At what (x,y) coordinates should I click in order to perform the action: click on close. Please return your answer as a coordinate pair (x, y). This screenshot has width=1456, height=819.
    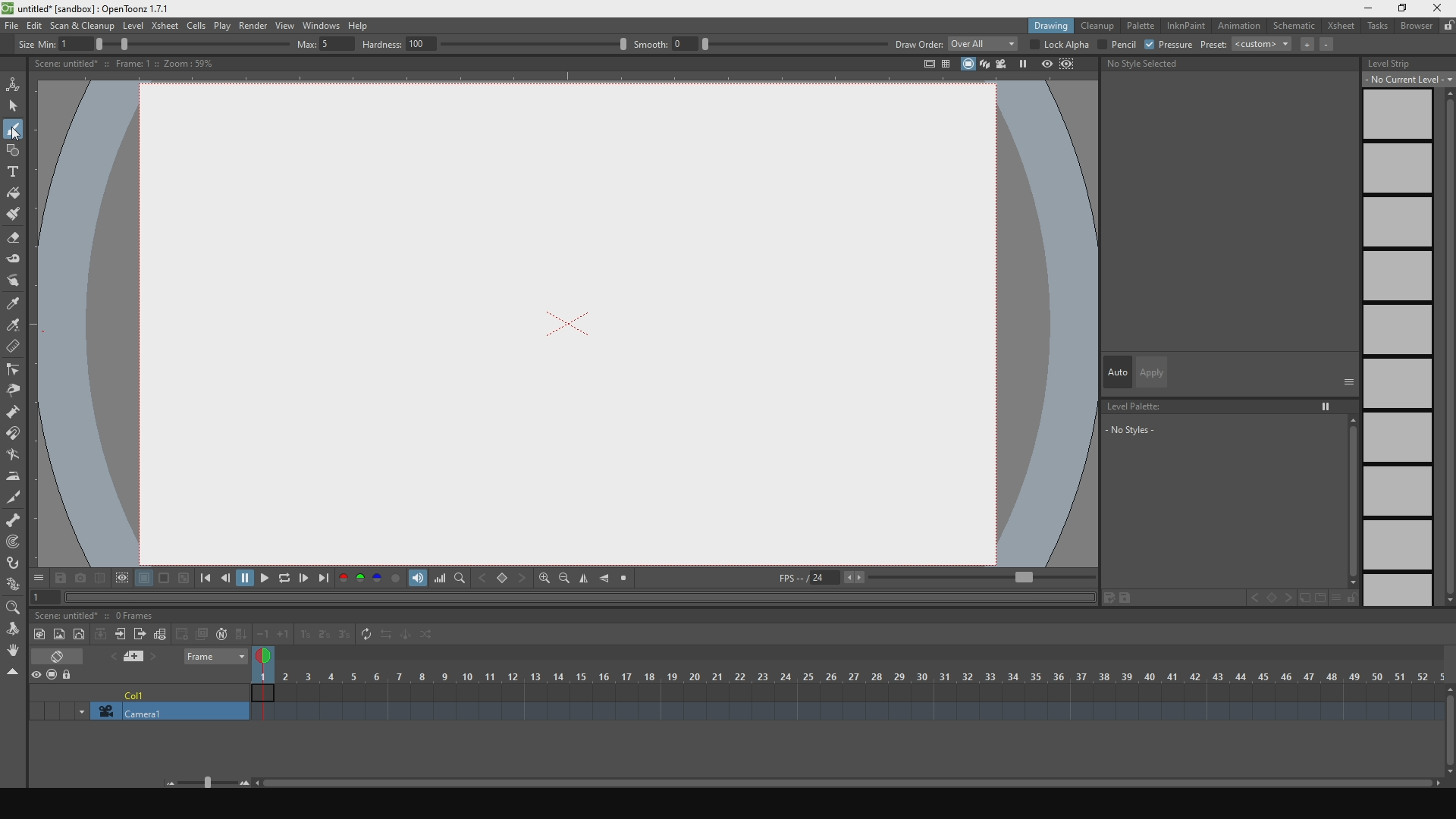
    Looking at the image, I should click on (14, 672).